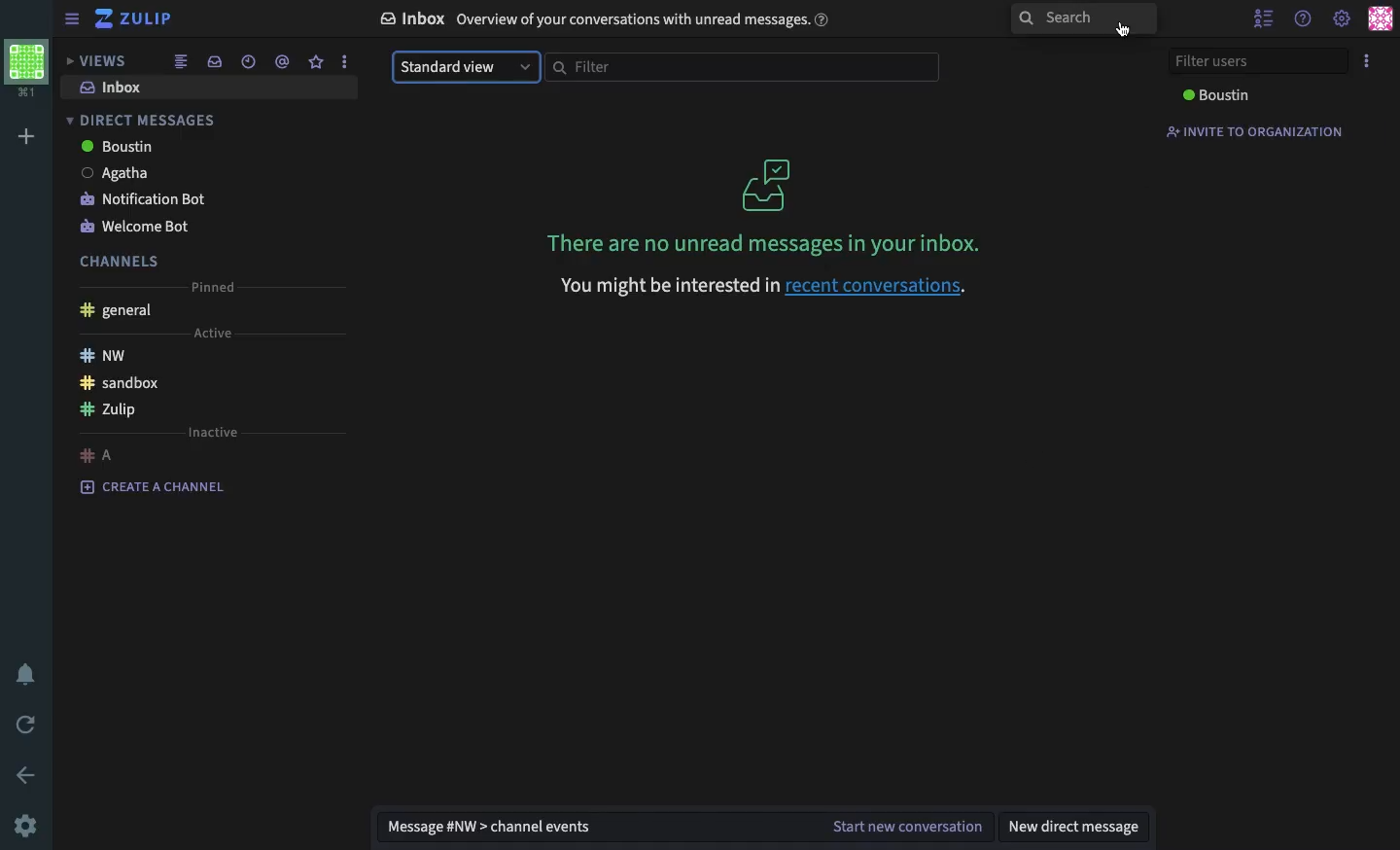 The height and width of the screenshot is (850, 1400). What do you see at coordinates (1301, 21) in the screenshot?
I see `help` at bounding box center [1301, 21].